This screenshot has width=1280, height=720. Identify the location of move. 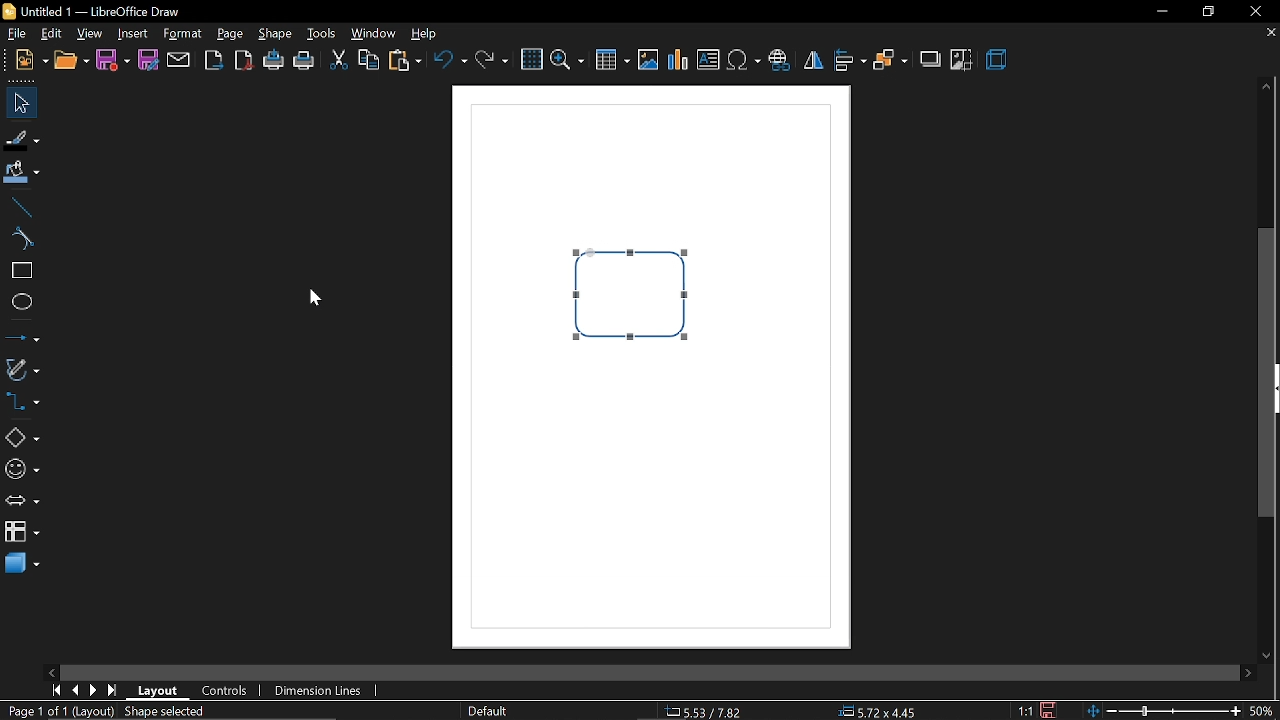
(20, 103).